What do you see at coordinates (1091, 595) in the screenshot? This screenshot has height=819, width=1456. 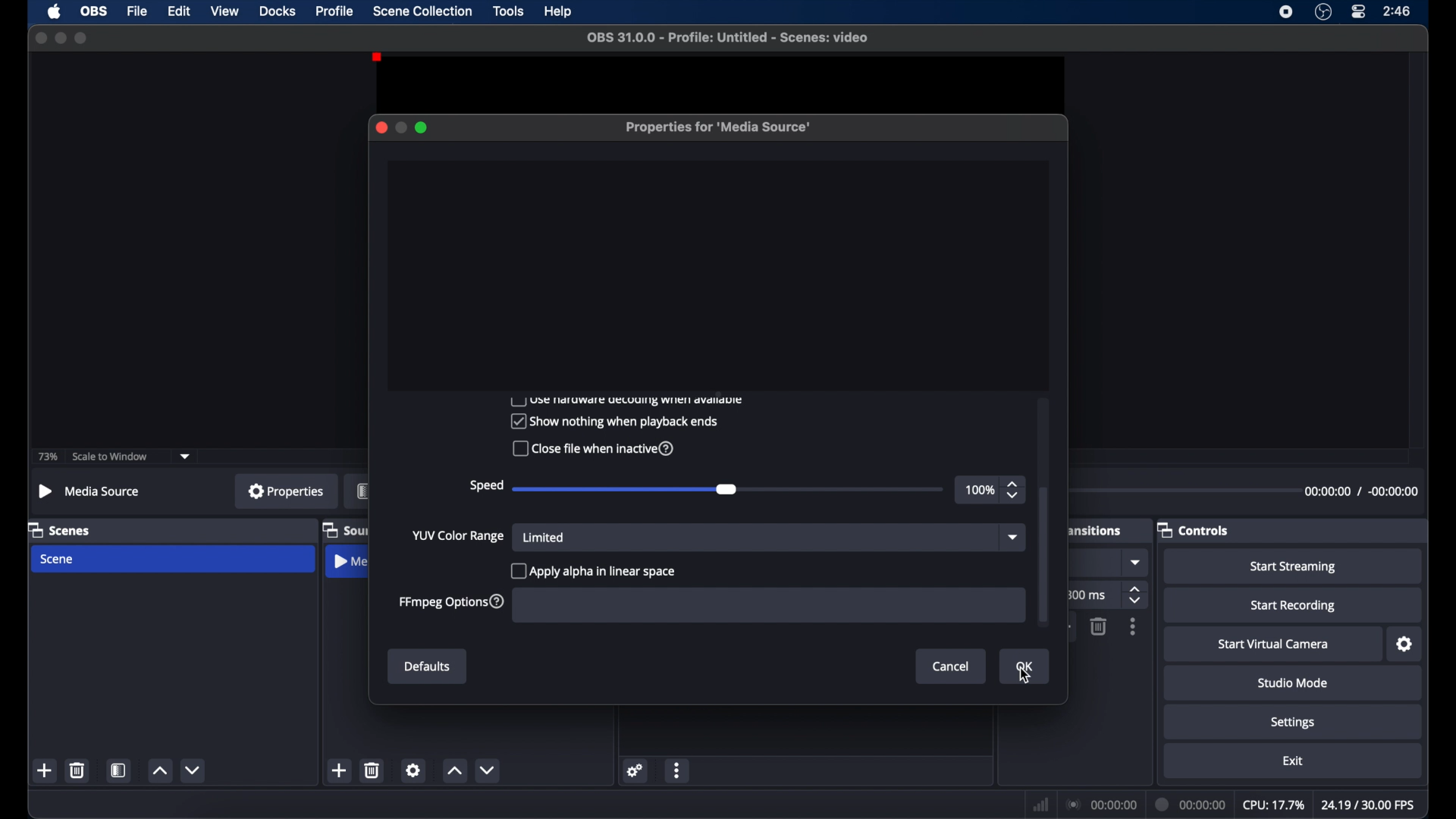 I see `ms` at bounding box center [1091, 595].